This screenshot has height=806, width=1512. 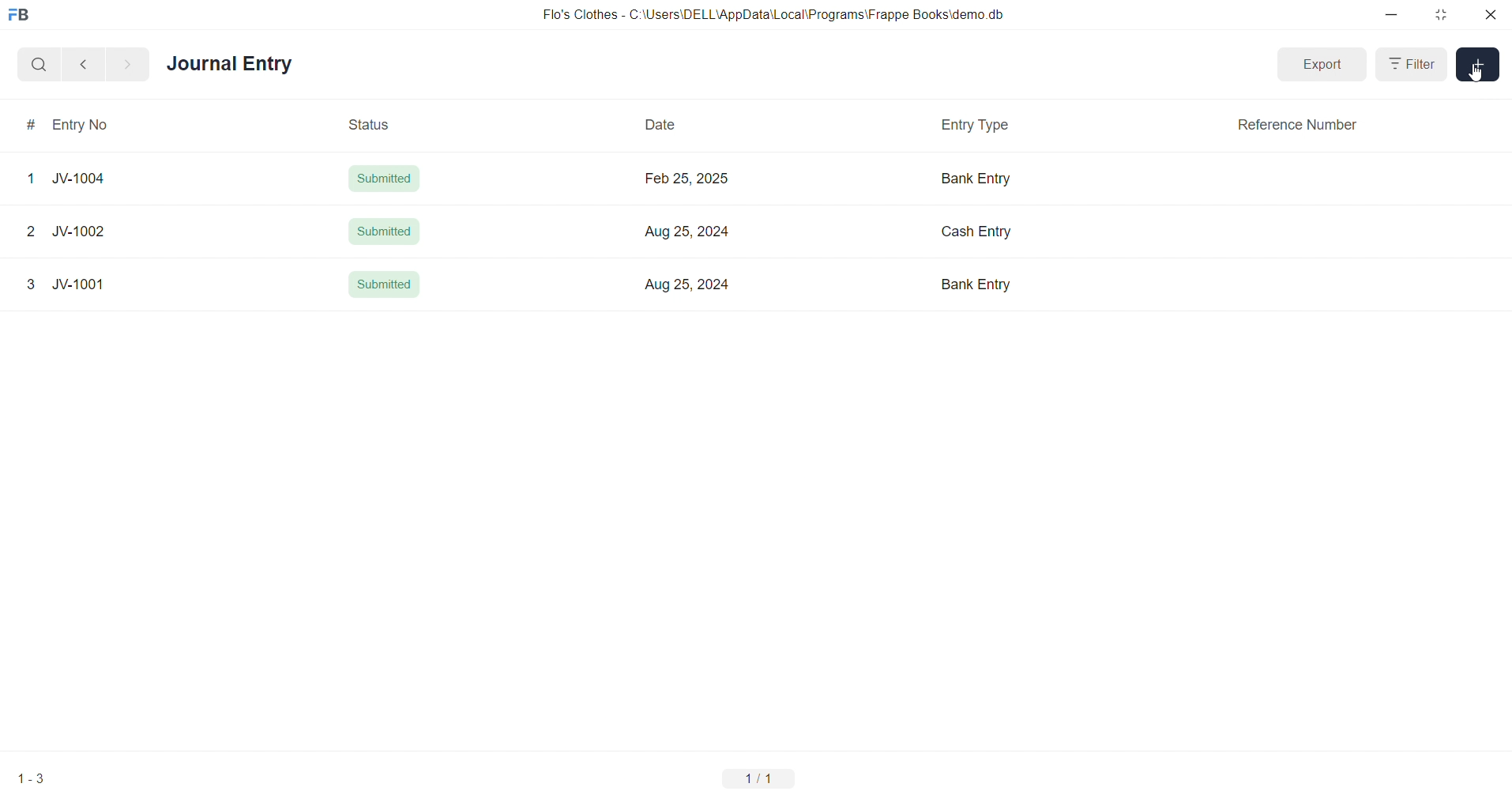 What do you see at coordinates (978, 179) in the screenshot?
I see `Bank Entry` at bounding box center [978, 179].